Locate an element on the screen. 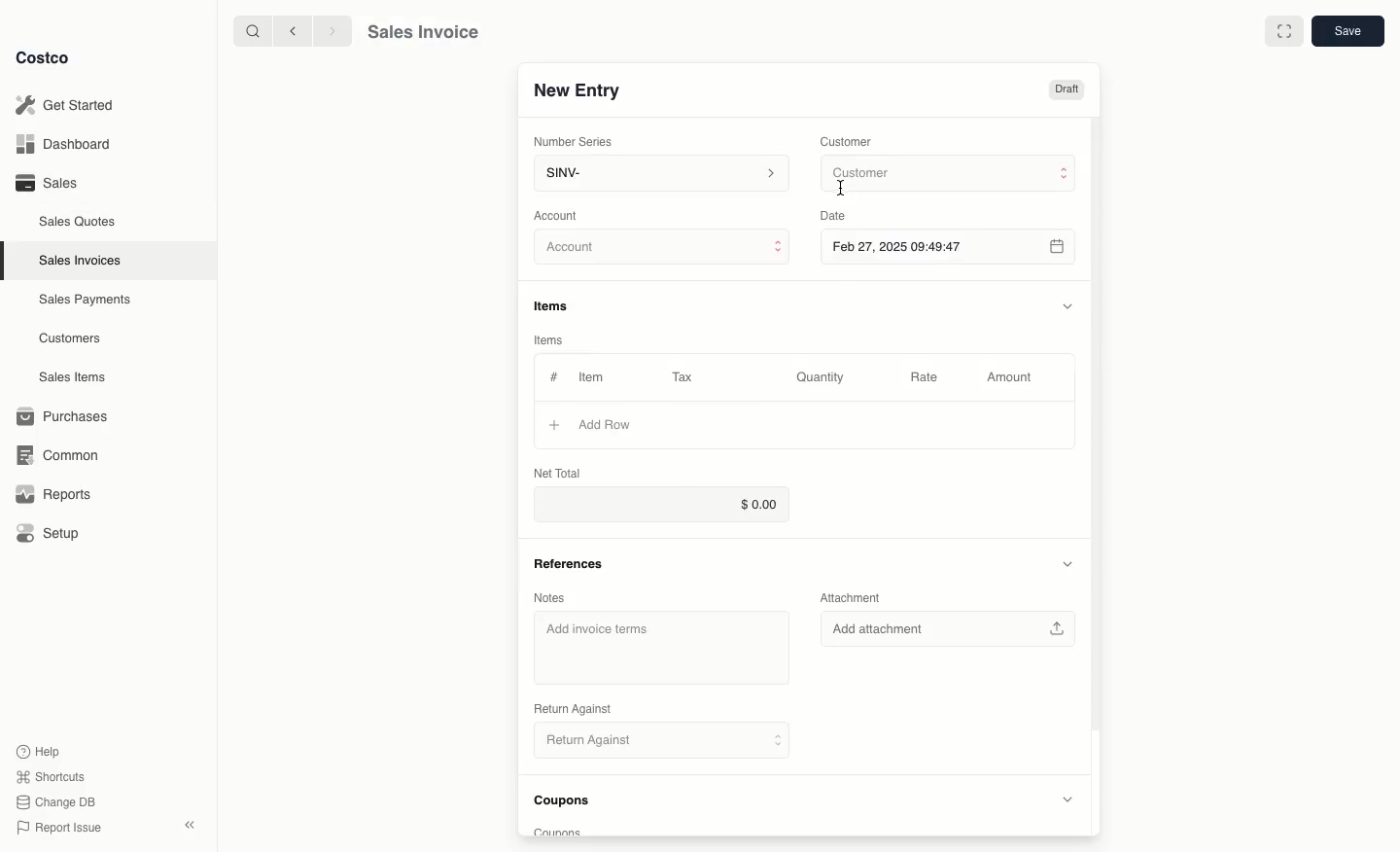  Setup is located at coordinates (50, 535).